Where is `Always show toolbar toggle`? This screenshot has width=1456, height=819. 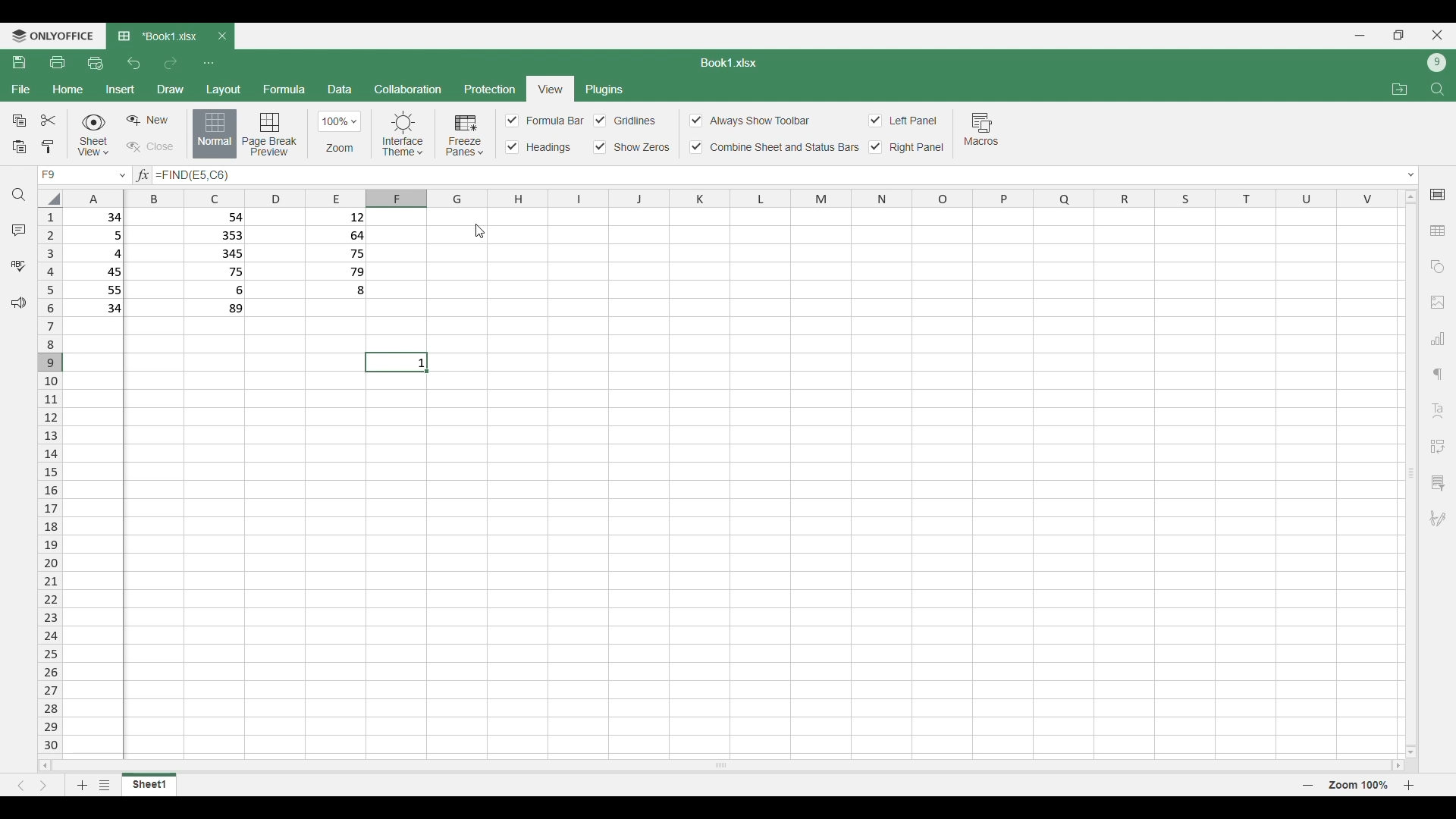 Always show toolbar toggle is located at coordinates (750, 121).